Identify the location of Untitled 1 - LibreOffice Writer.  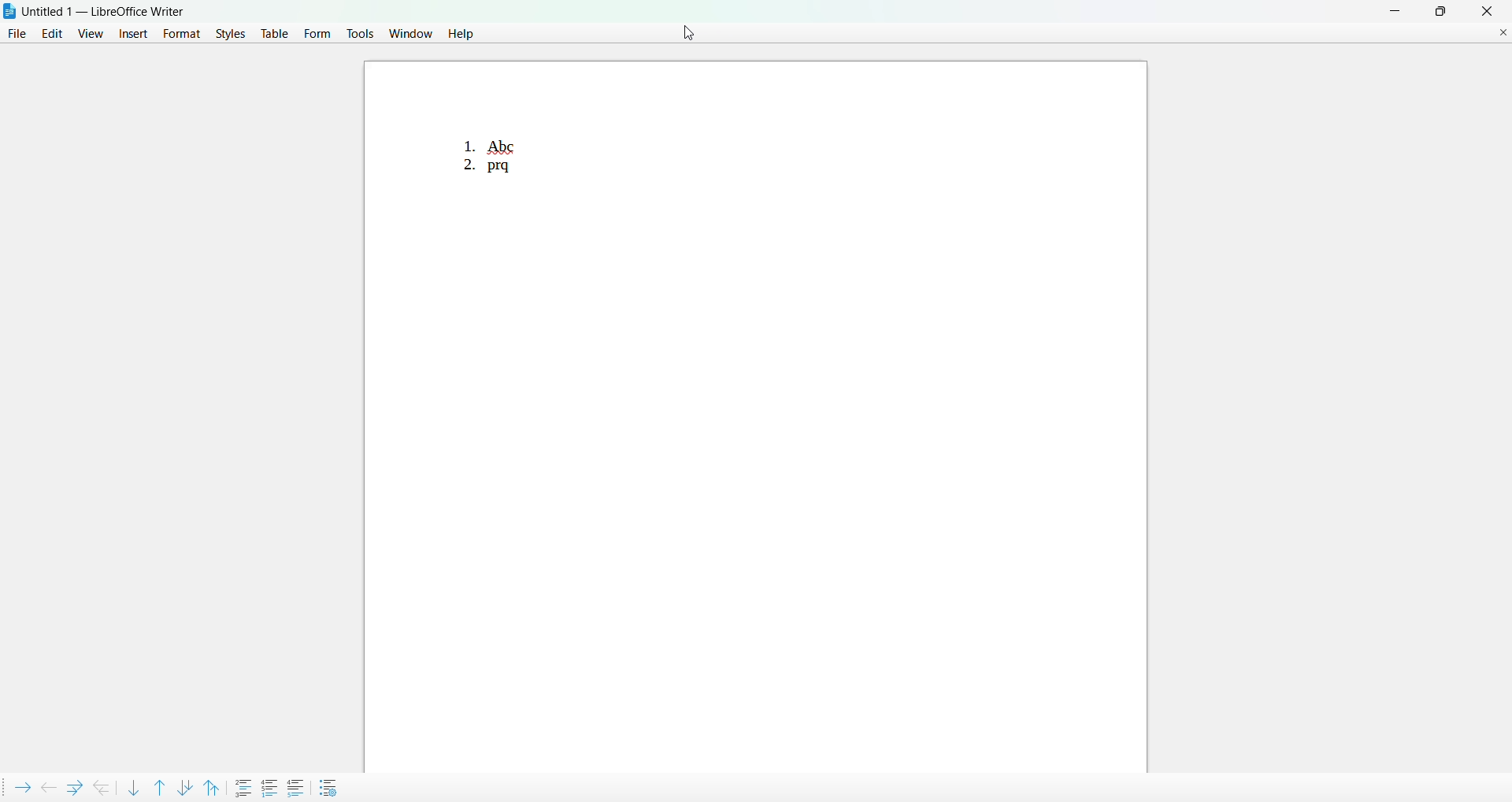
(106, 11).